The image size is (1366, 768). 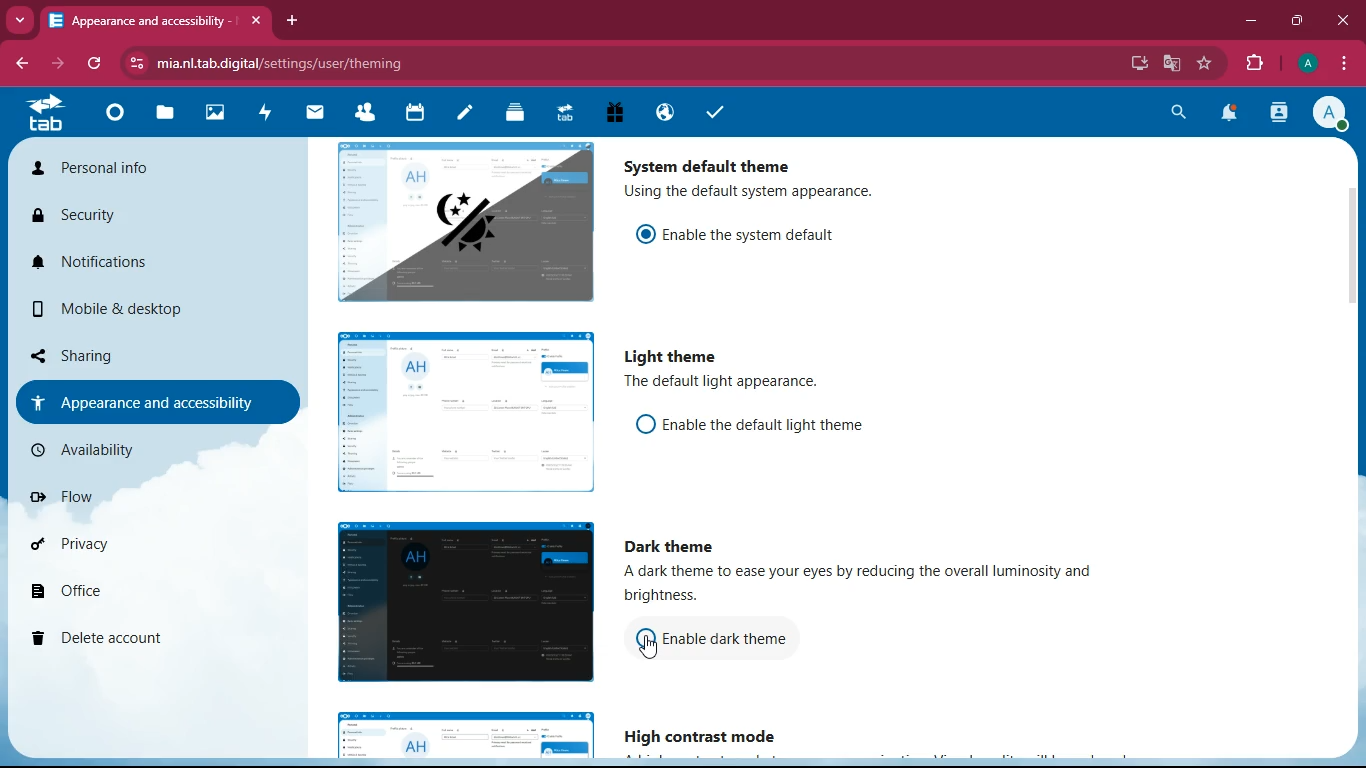 What do you see at coordinates (725, 383) in the screenshot?
I see `description` at bounding box center [725, 383].